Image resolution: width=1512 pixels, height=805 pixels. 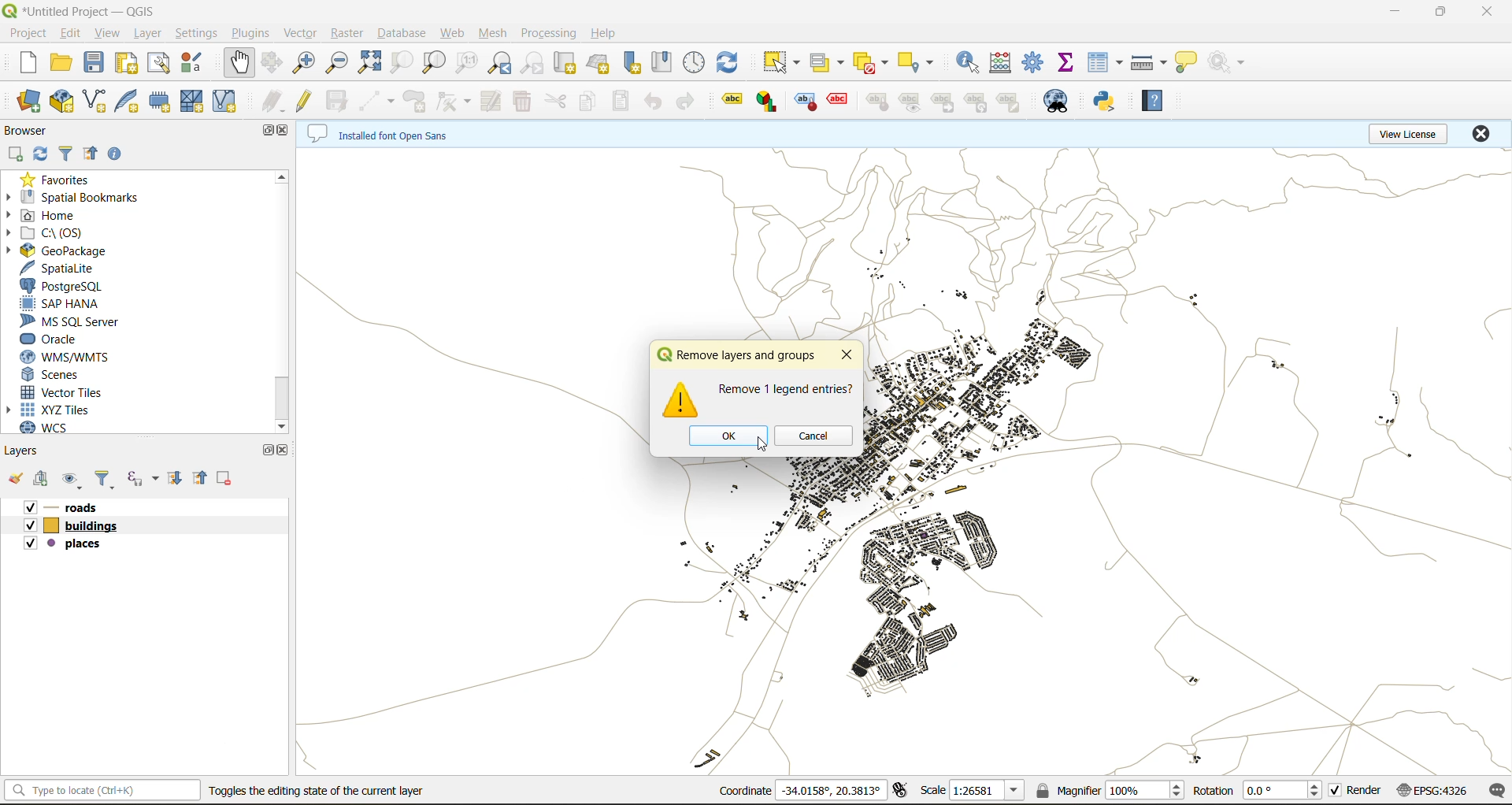 I want to click on sap hana, so click(x=75, y=303).